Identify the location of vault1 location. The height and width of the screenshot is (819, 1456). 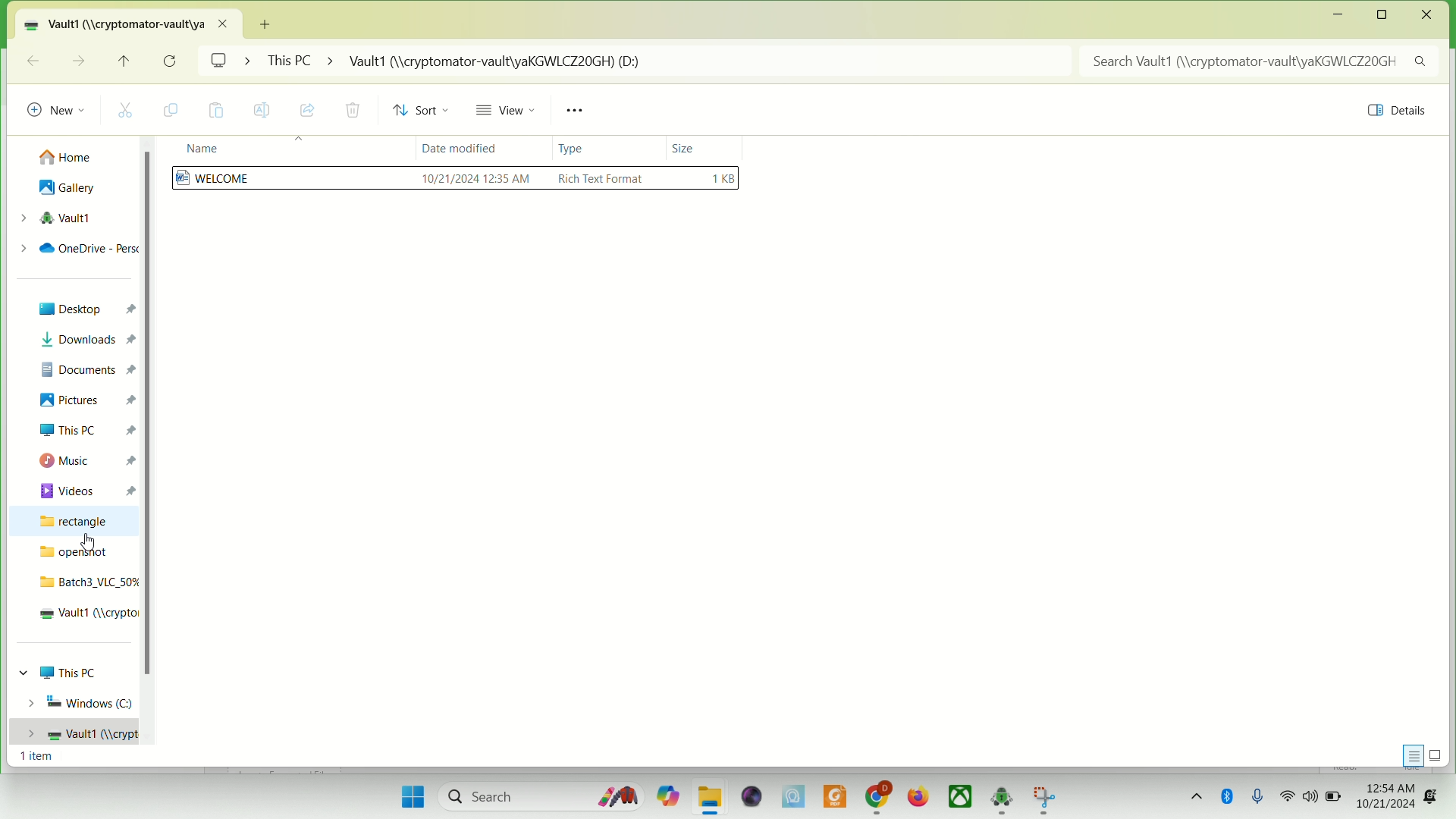
(133, 23).